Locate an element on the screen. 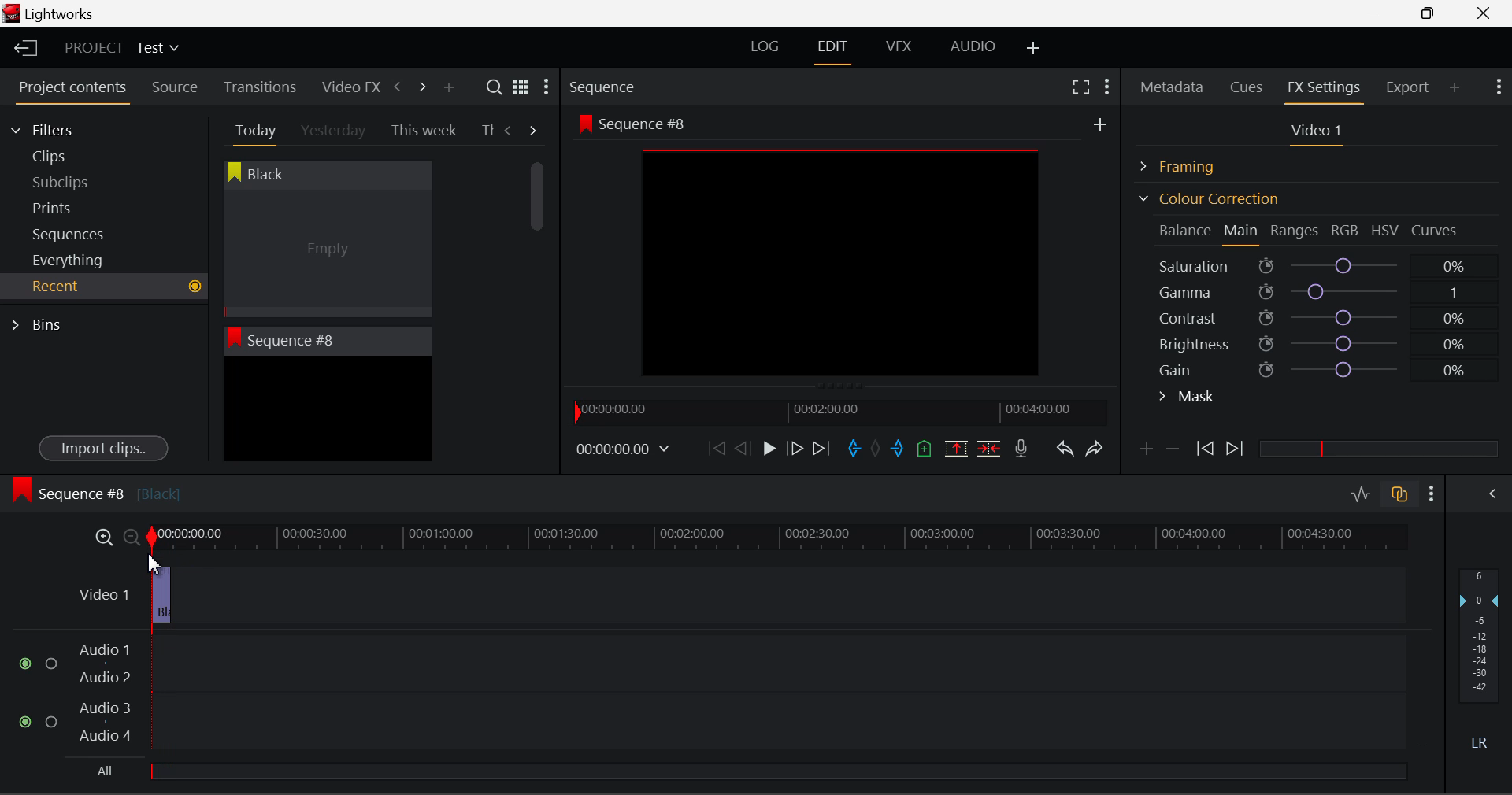 This screenshot has height=795, width=1512. Cues Panel is located at coordinates (1248, 85).